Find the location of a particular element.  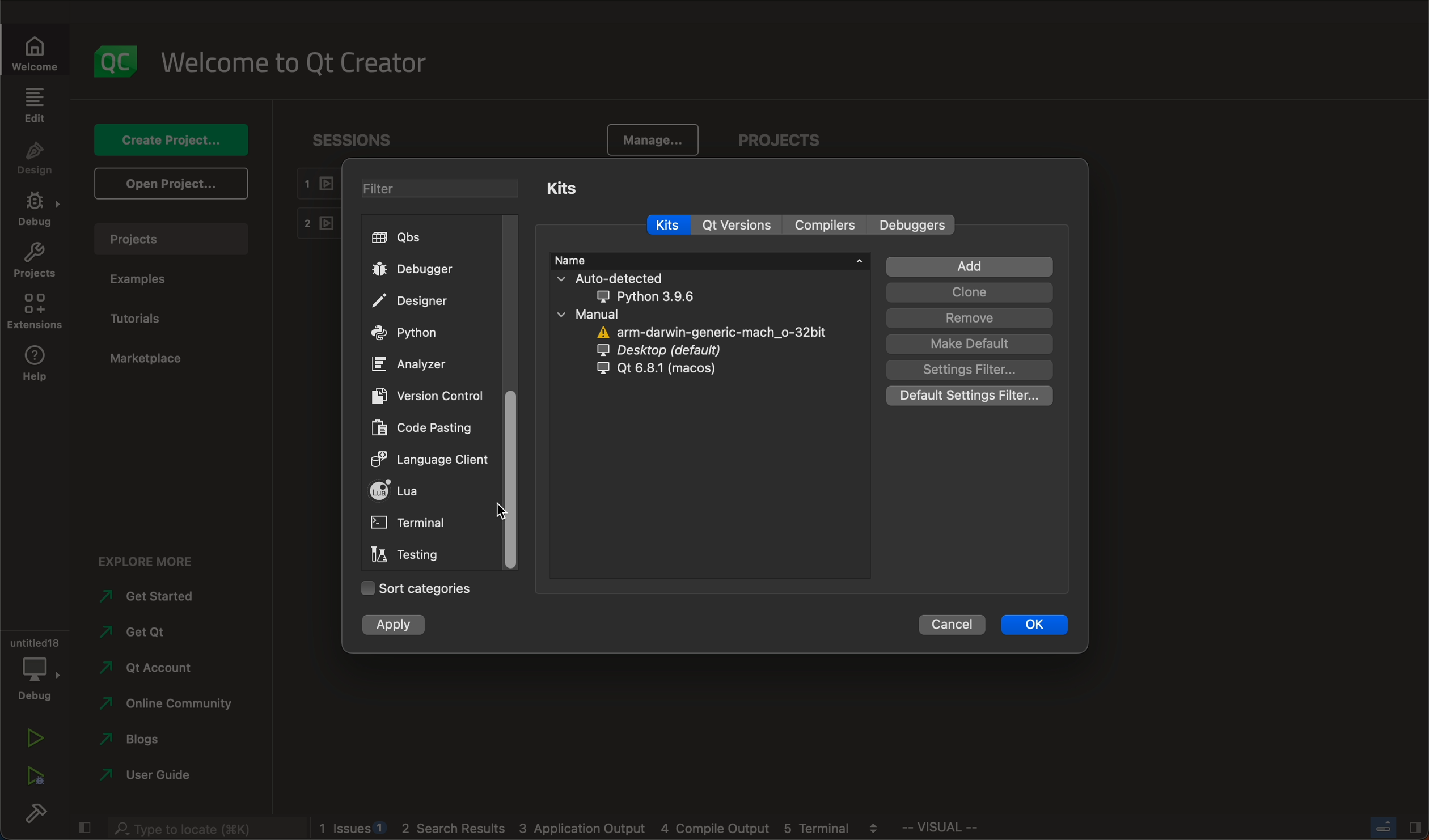

logo is located at coordinates (119, 60).